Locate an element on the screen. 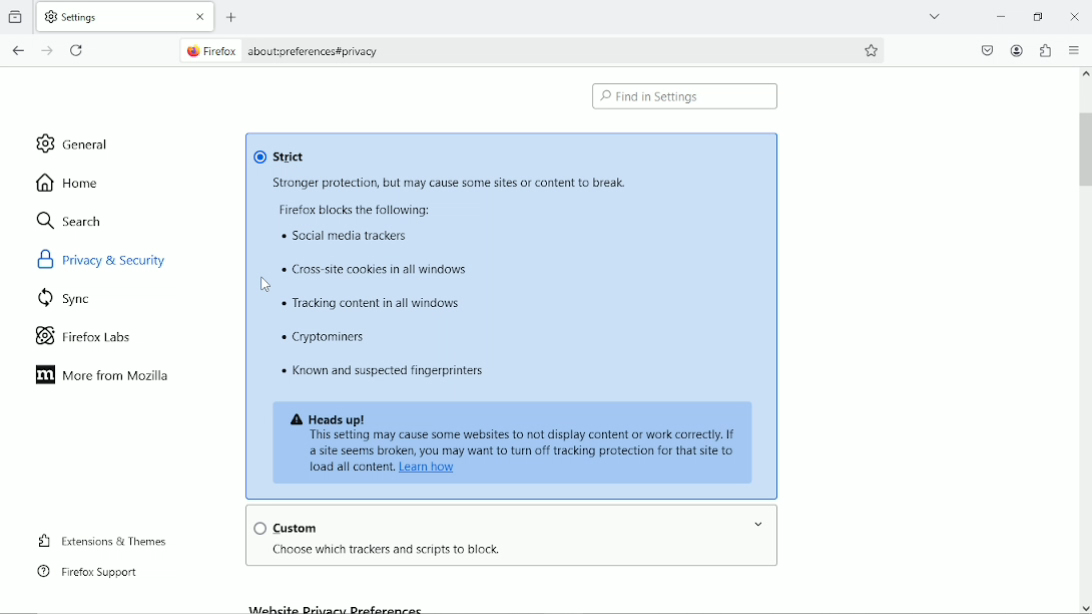  view recent browsing is located at coordinates (17, 15).